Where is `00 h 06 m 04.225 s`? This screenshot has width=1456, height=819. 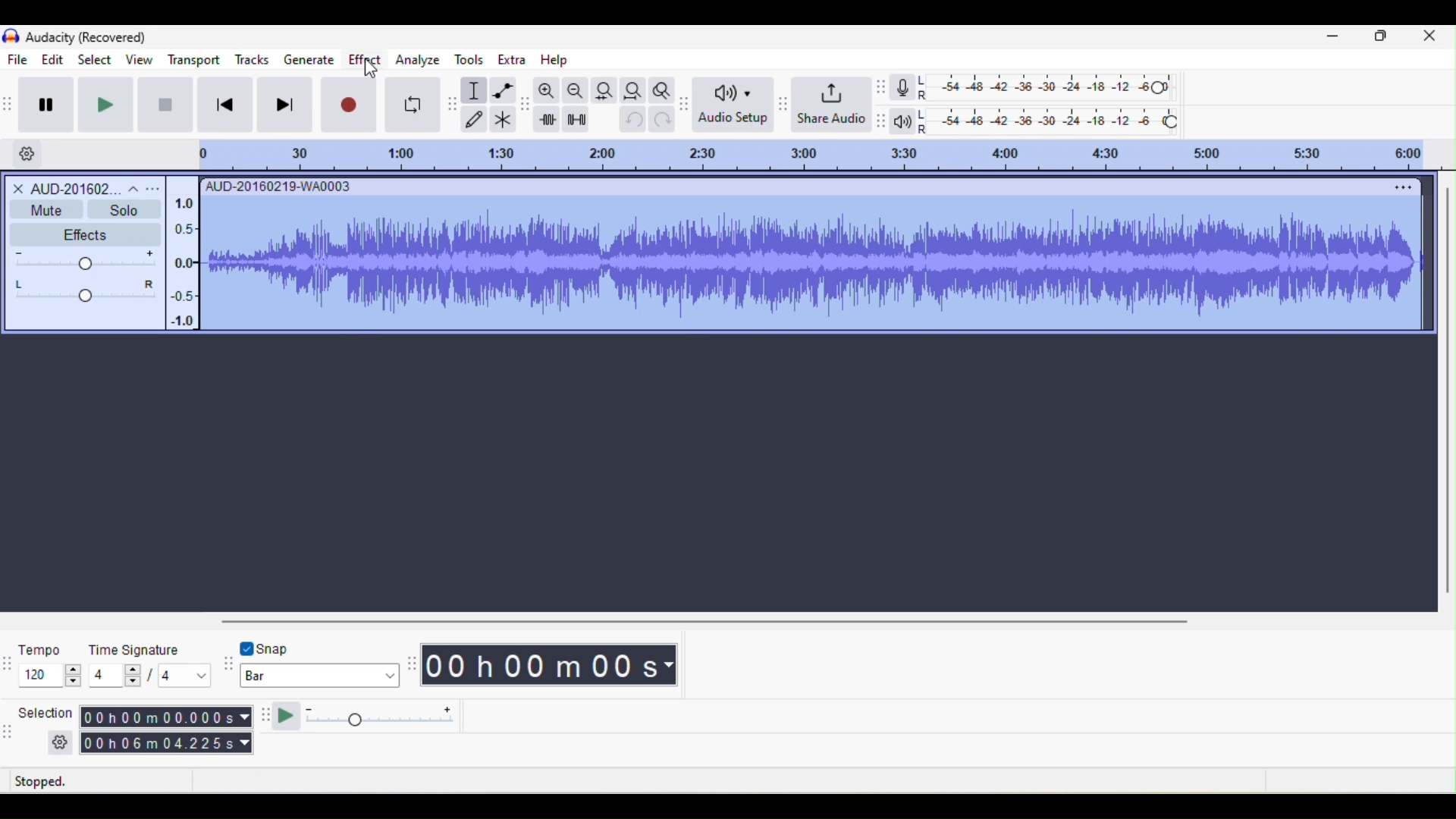
00 h 06 m 04.225 s is located at coordinates (166, 745).